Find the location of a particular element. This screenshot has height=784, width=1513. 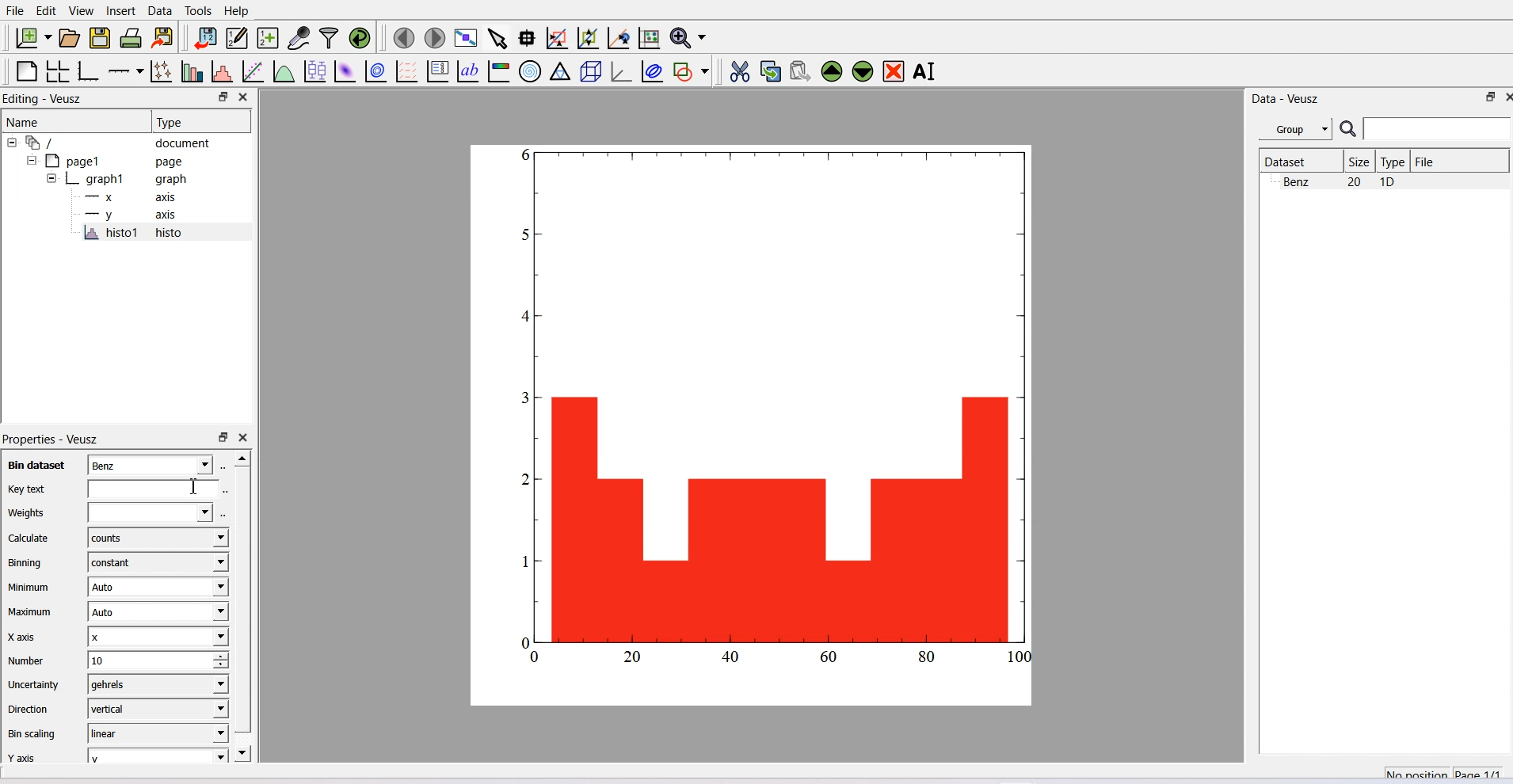

Plot bar chart is located at coordinates (192, 70).